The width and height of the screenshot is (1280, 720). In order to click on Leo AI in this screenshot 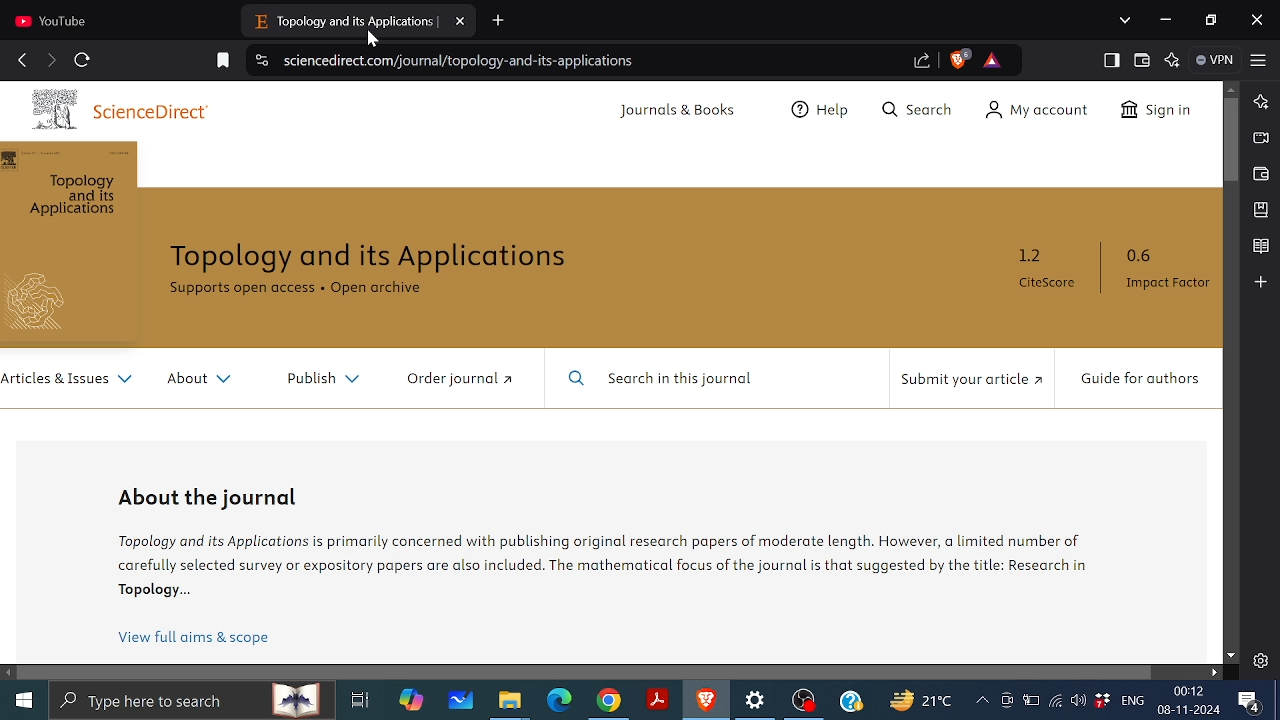, I will do `click(1174, 60)`.